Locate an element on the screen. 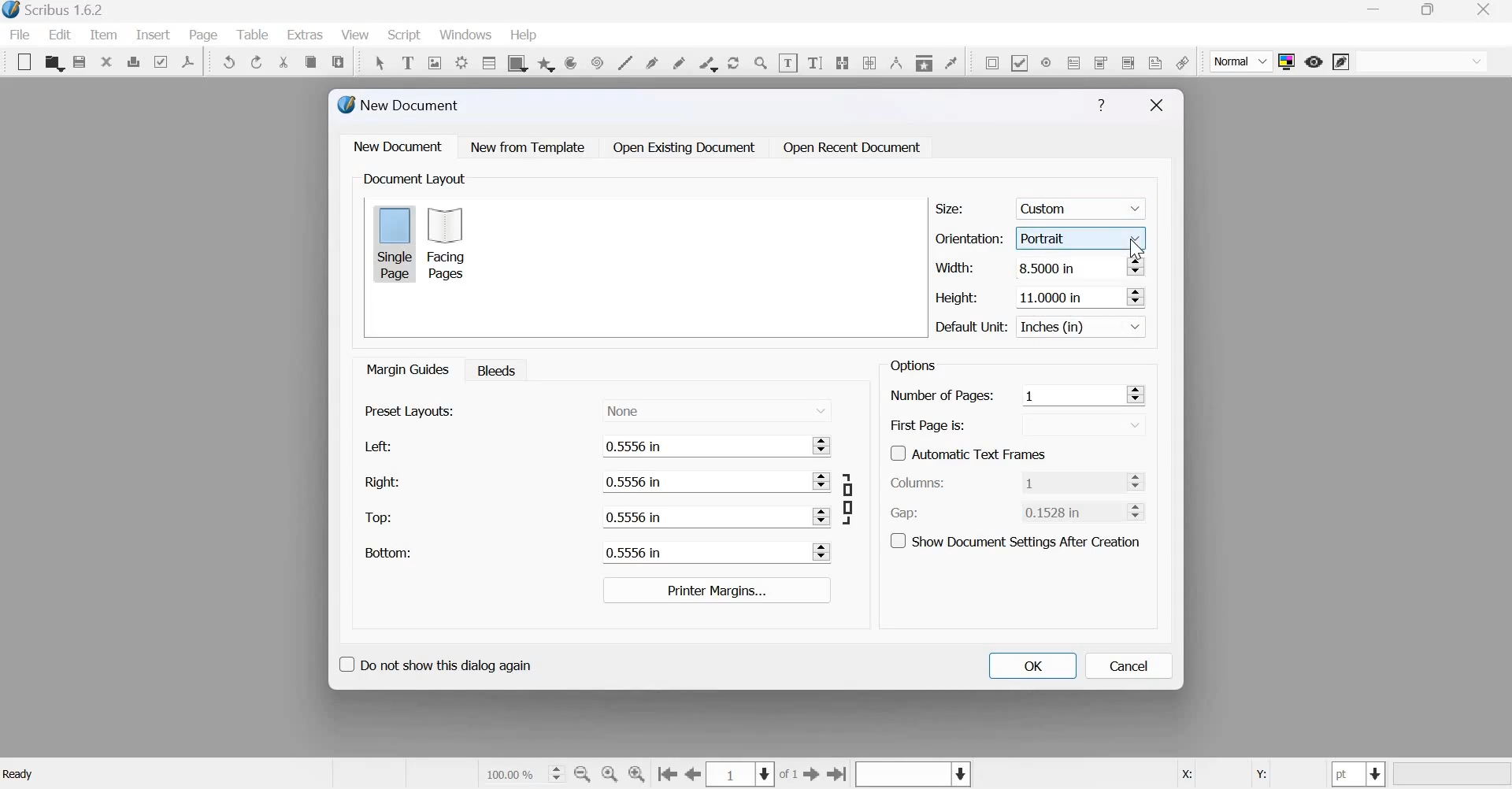 This screenshot has width=1512, height=789. freehand line is located at coordinates (679, 61).